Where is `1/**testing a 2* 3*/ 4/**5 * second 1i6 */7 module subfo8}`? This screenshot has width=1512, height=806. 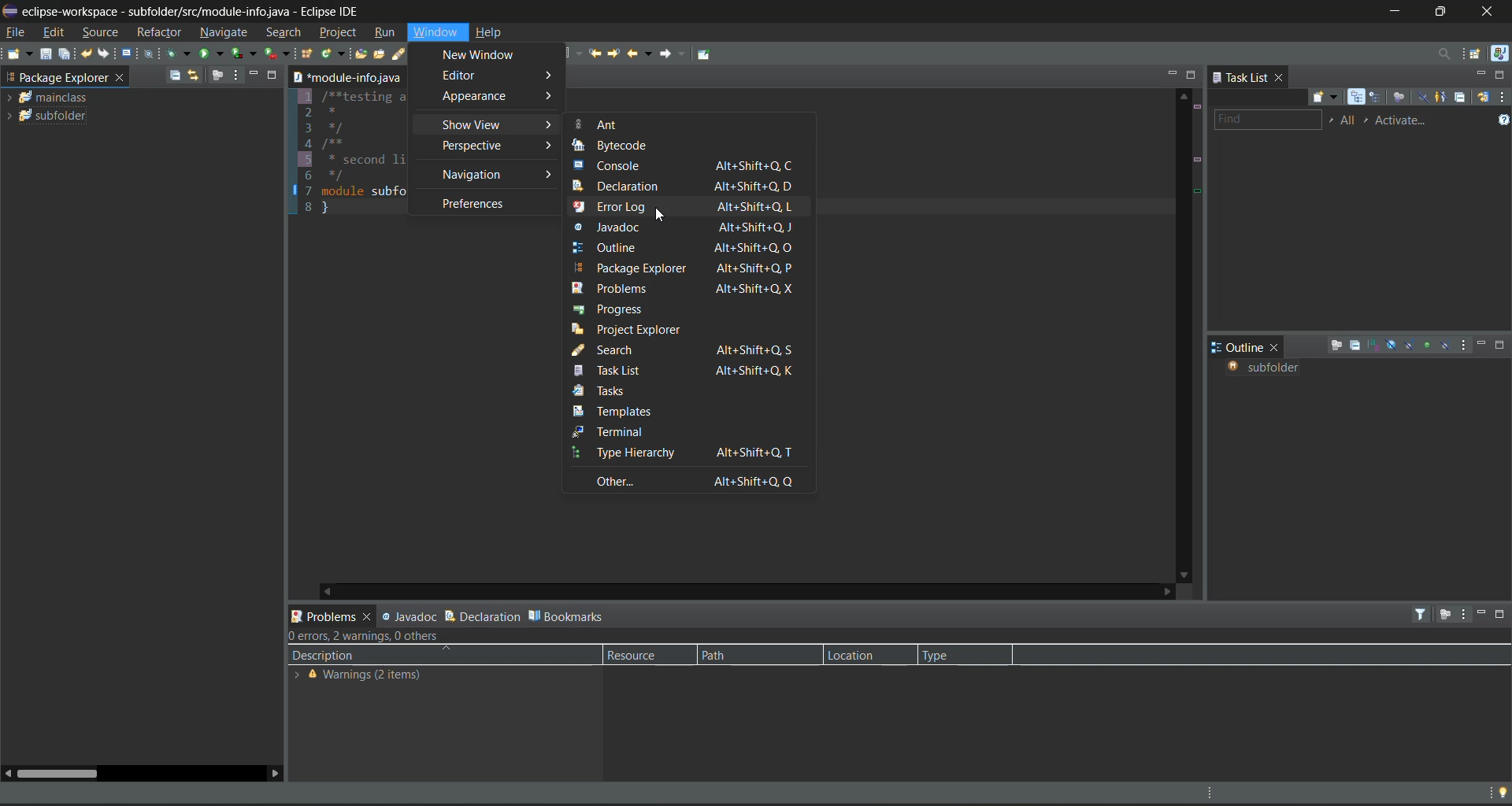 1/**testing a 2* 3*/ 4/**5 * second 1i6 */7 module subfo8} is located at coordinates (351, 153).